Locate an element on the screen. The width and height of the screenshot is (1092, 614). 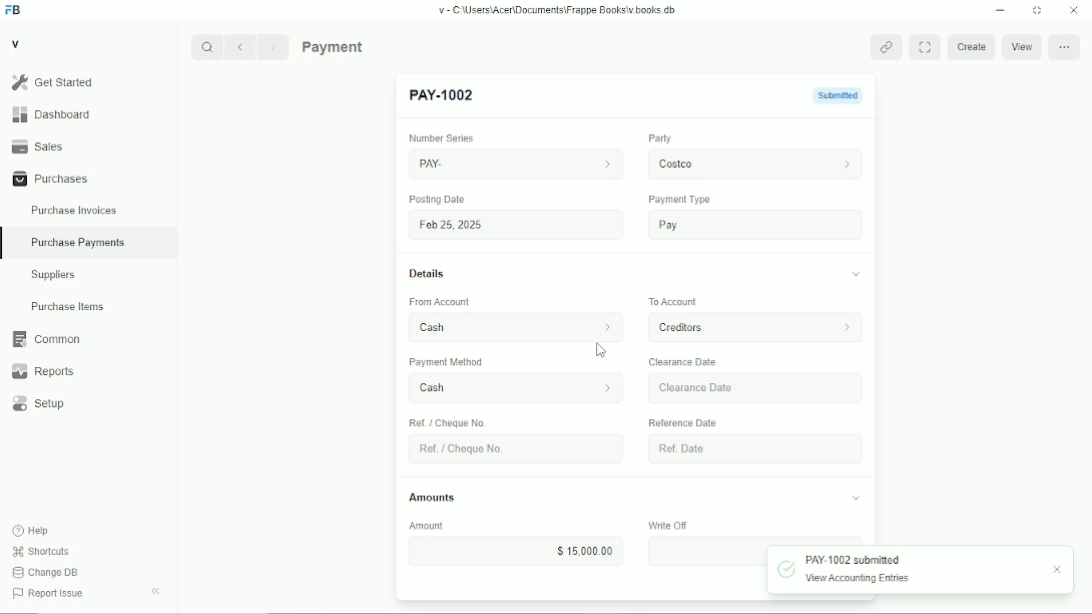
Posting Date is located at coordinates (438, 200).